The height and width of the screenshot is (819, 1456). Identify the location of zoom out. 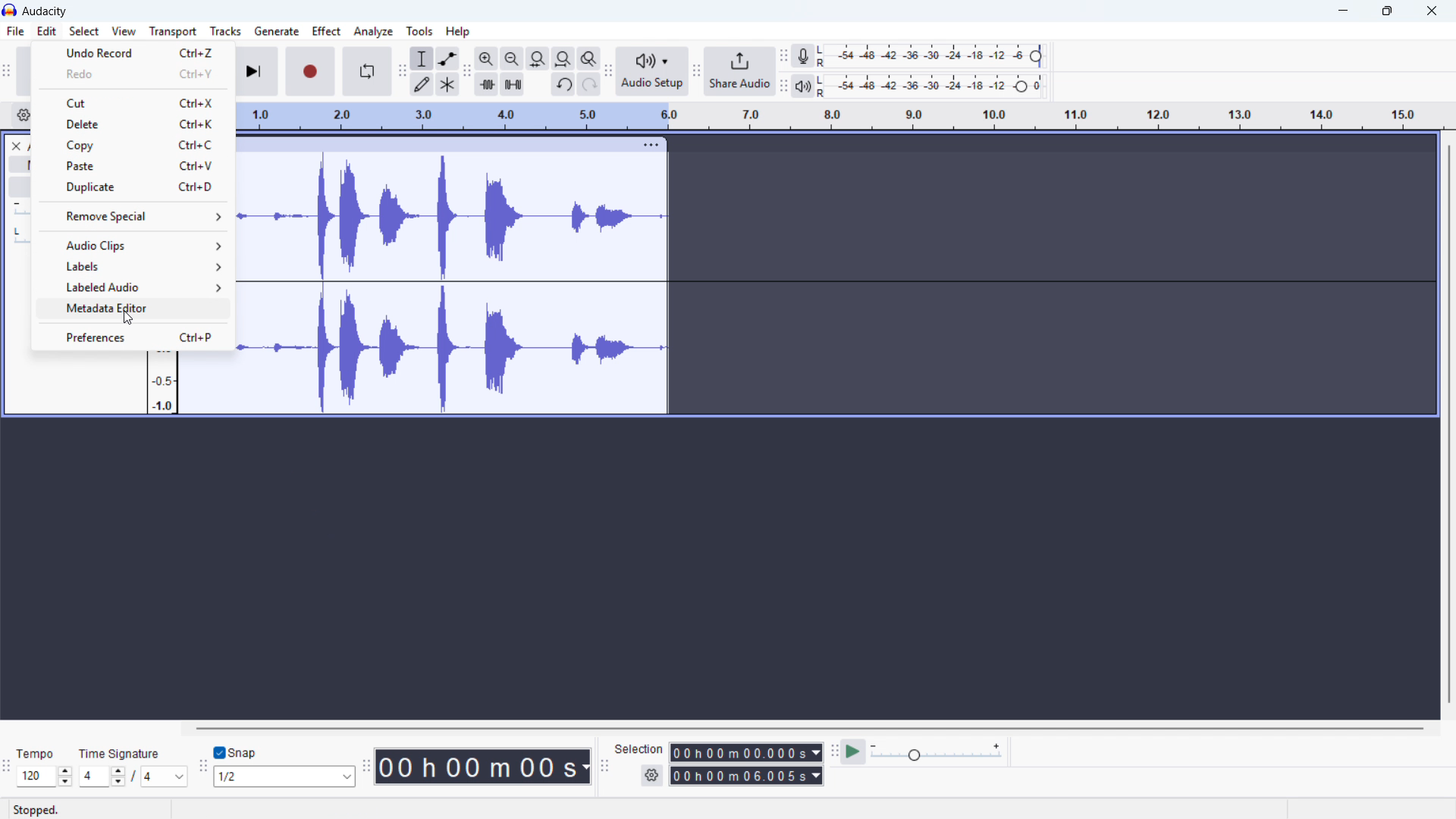
(513, 58).